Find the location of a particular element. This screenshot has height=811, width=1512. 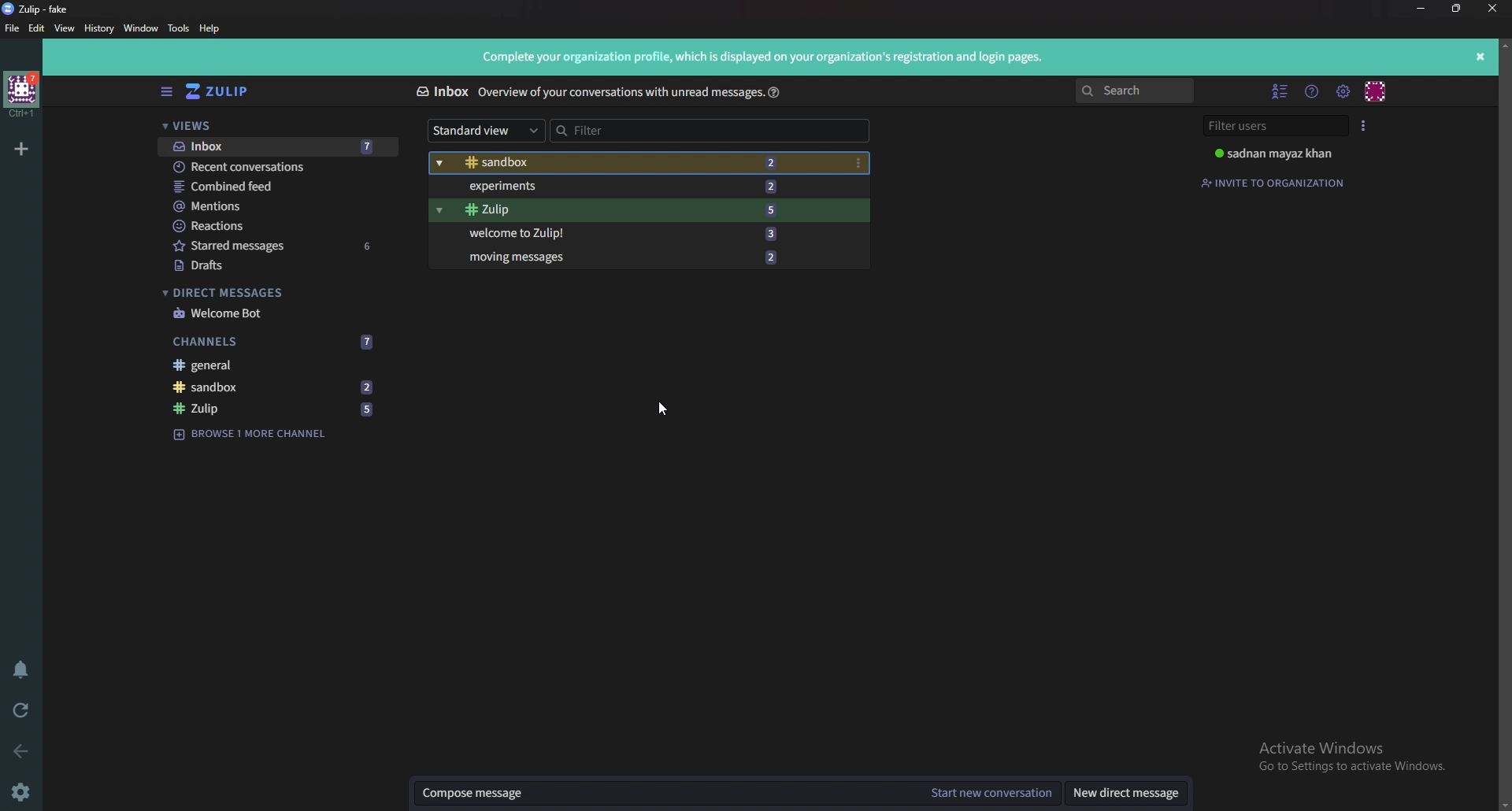

Recent conversations is located at coordinates (275, 166).